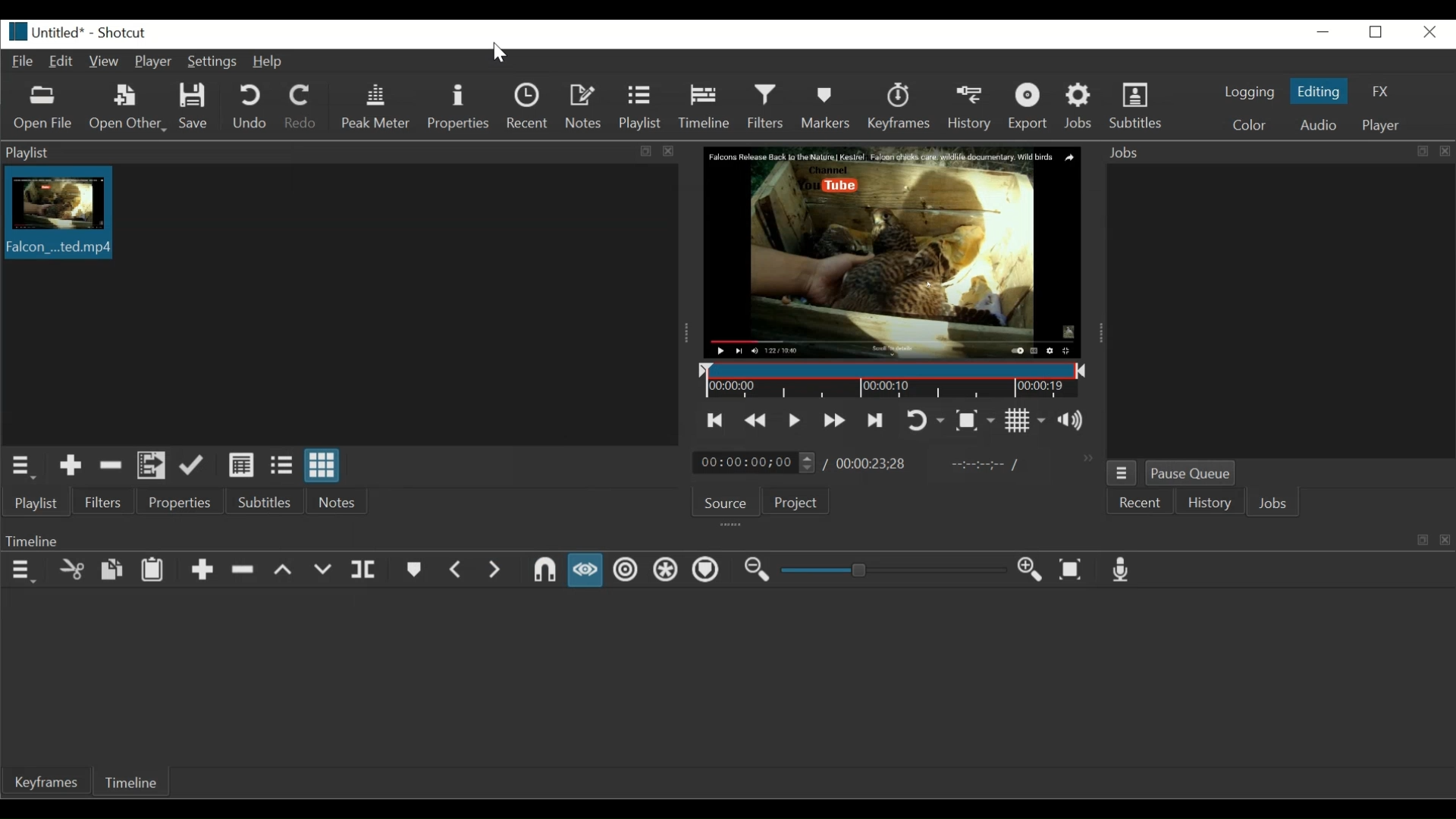 This screenshot has height=819, width=1456. I want to click on Export, so click(1031, 108).